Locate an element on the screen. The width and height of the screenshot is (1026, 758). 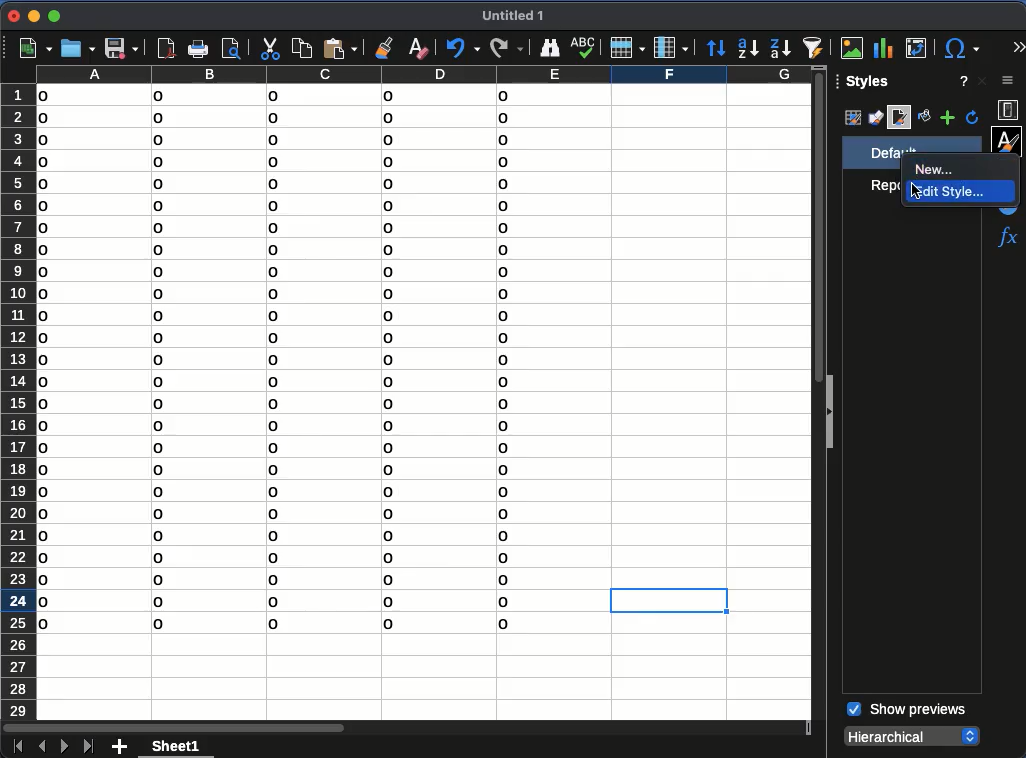
close is located at coordinates (982, 81).